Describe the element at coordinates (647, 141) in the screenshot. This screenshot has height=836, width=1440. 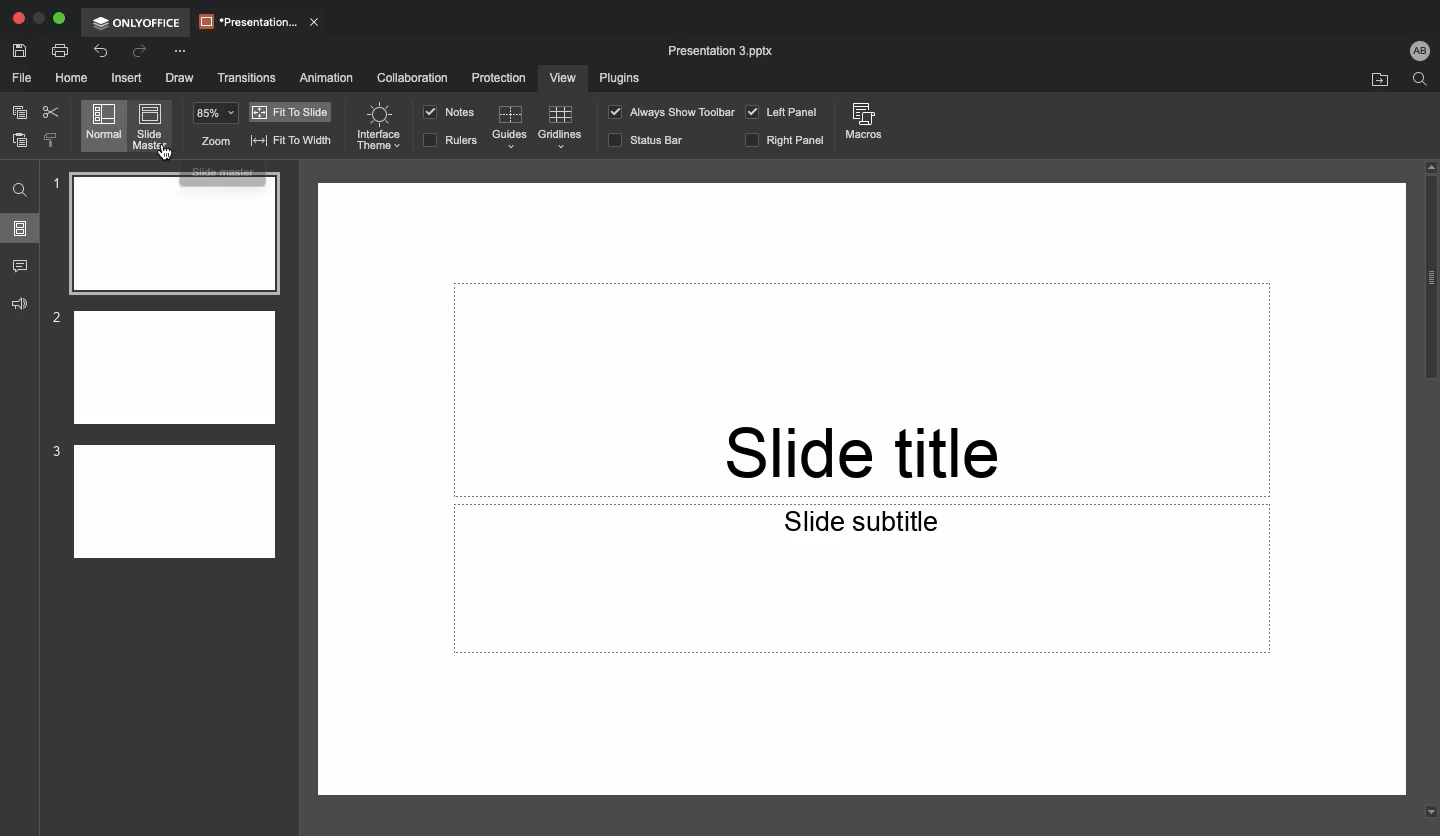
I see `Status bar` at that location.